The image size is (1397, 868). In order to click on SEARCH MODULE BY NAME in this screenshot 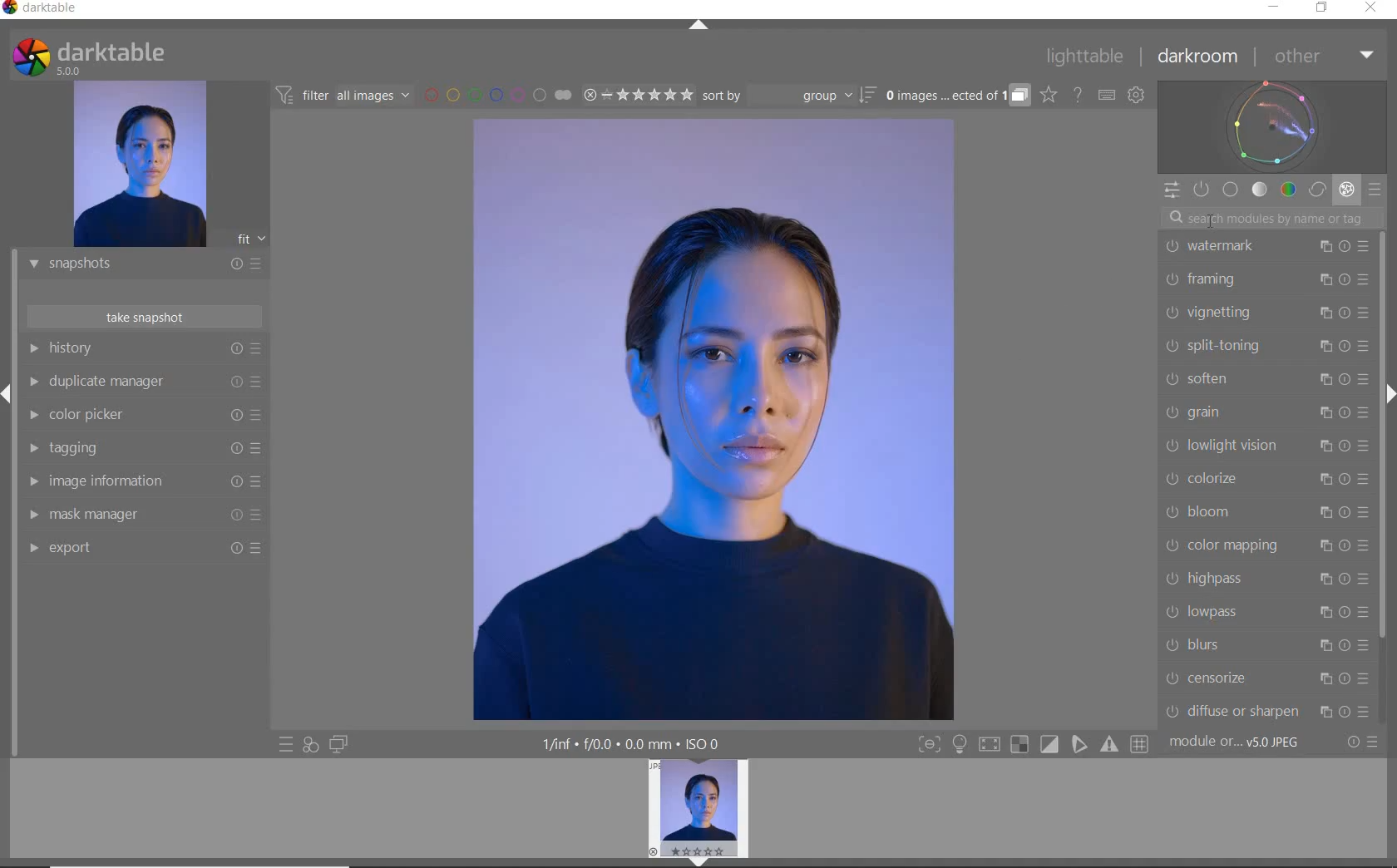, I will do `click(1271, 217)`.